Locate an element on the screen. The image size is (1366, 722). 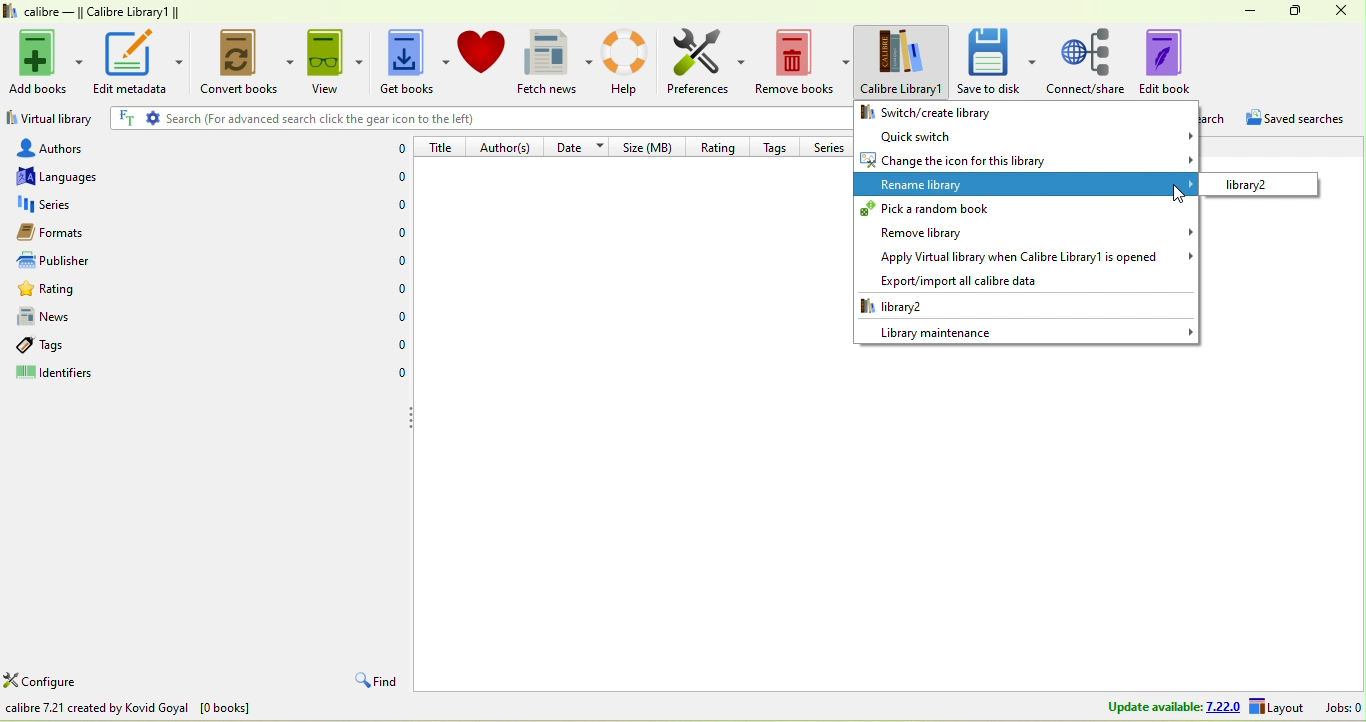
choose calibre library to work with calibrery library 1 [0 books] is located at coordinates (197, 710).